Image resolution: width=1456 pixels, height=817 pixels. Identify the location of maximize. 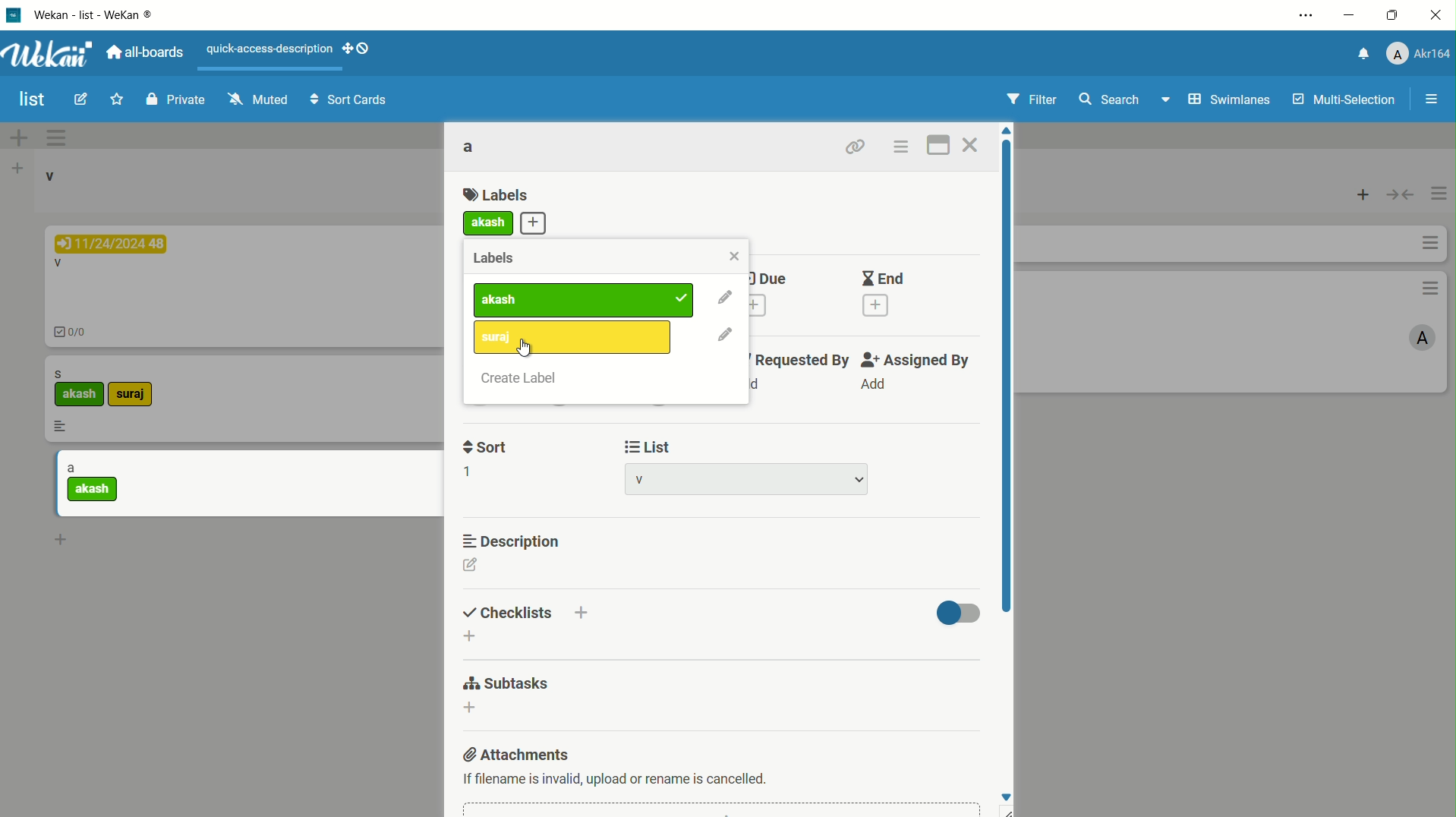
(1395, 18).